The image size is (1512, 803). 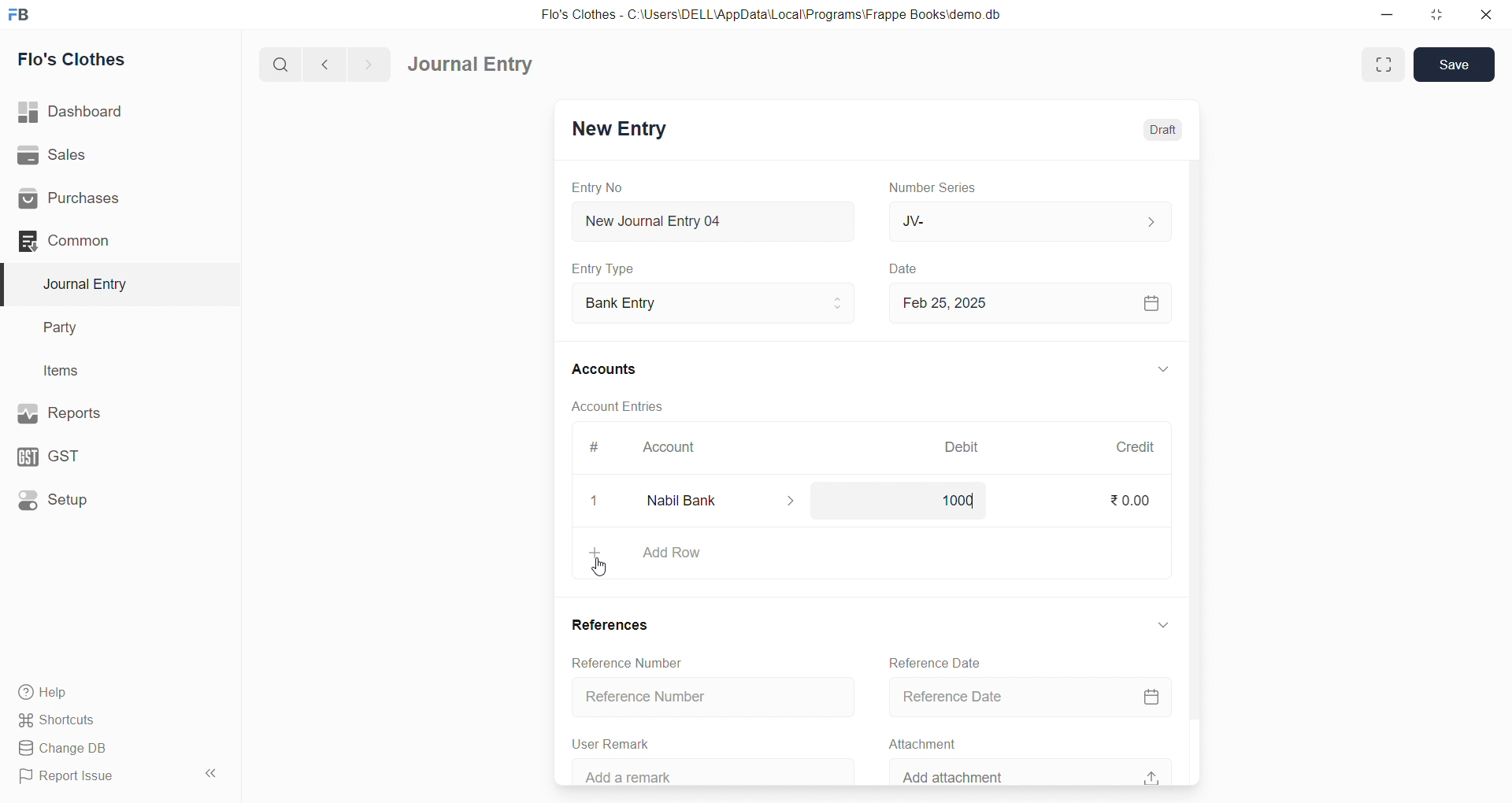 I want to click on Nabil Bank, so click(x=713, y=500).